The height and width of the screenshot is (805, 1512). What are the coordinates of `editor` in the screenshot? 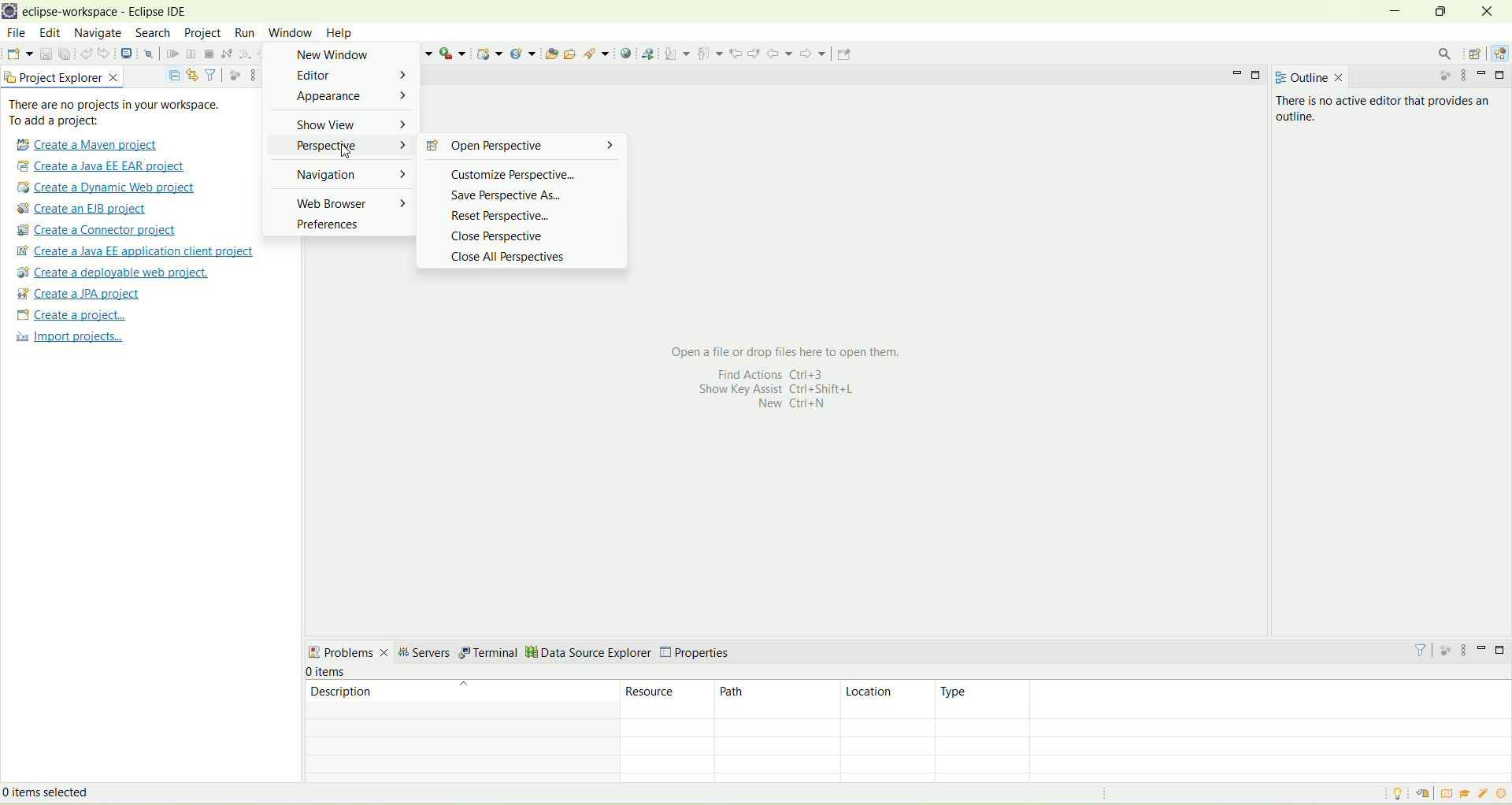 It's located at (351, 76).